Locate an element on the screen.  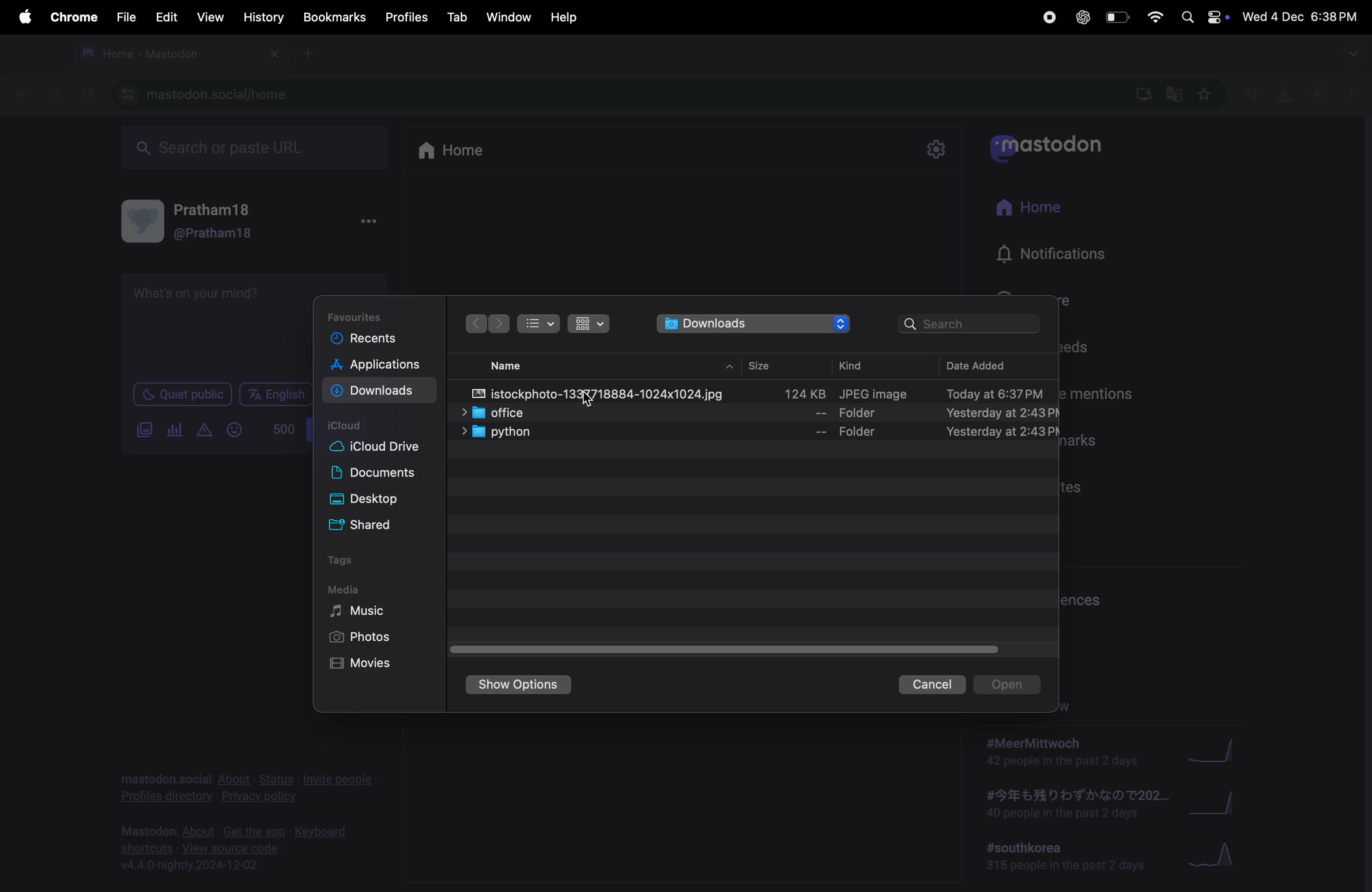
home is located at coordinates (462, 152).